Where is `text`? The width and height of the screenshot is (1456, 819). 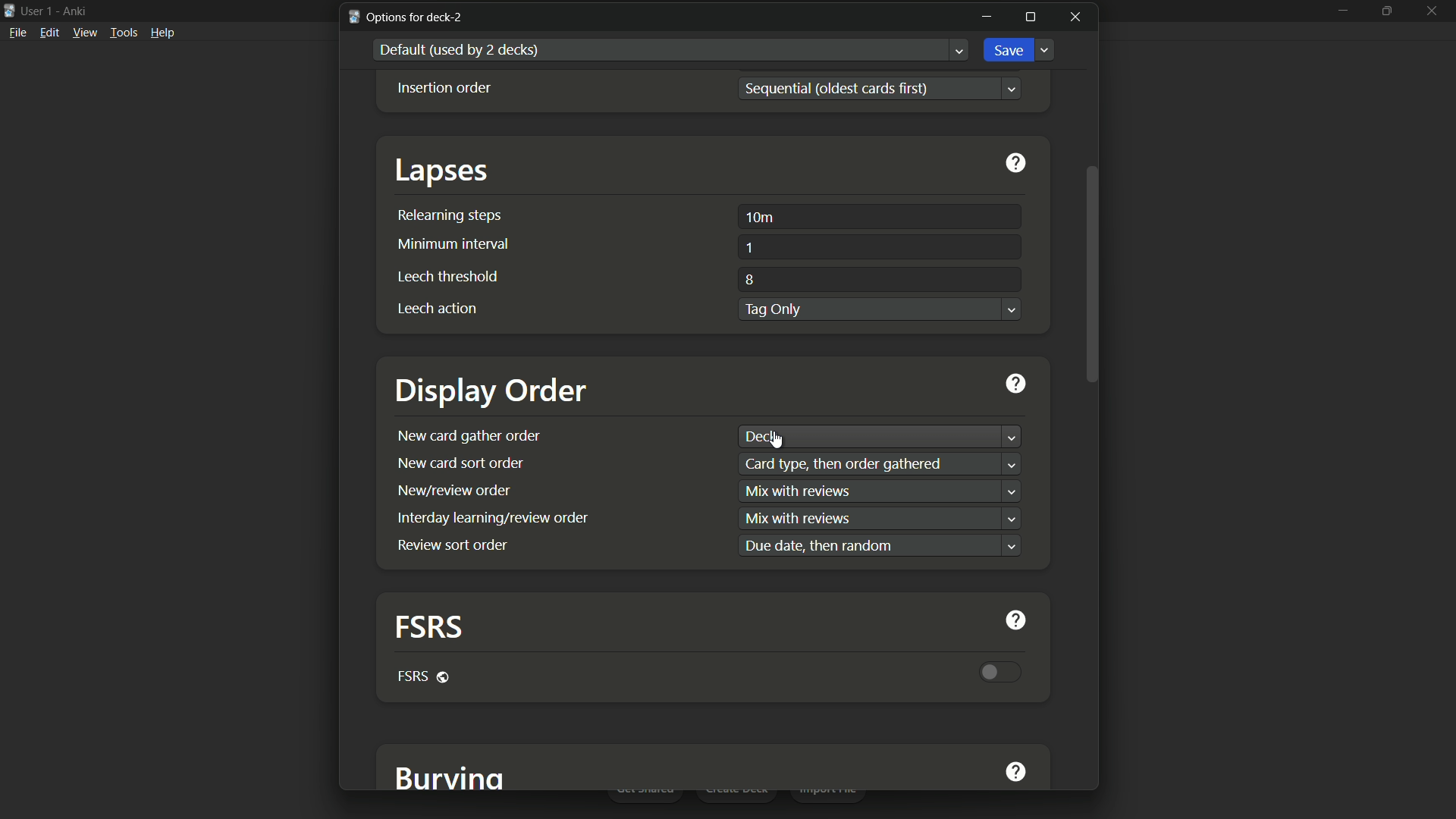
text is located at coordinates (821, 544).